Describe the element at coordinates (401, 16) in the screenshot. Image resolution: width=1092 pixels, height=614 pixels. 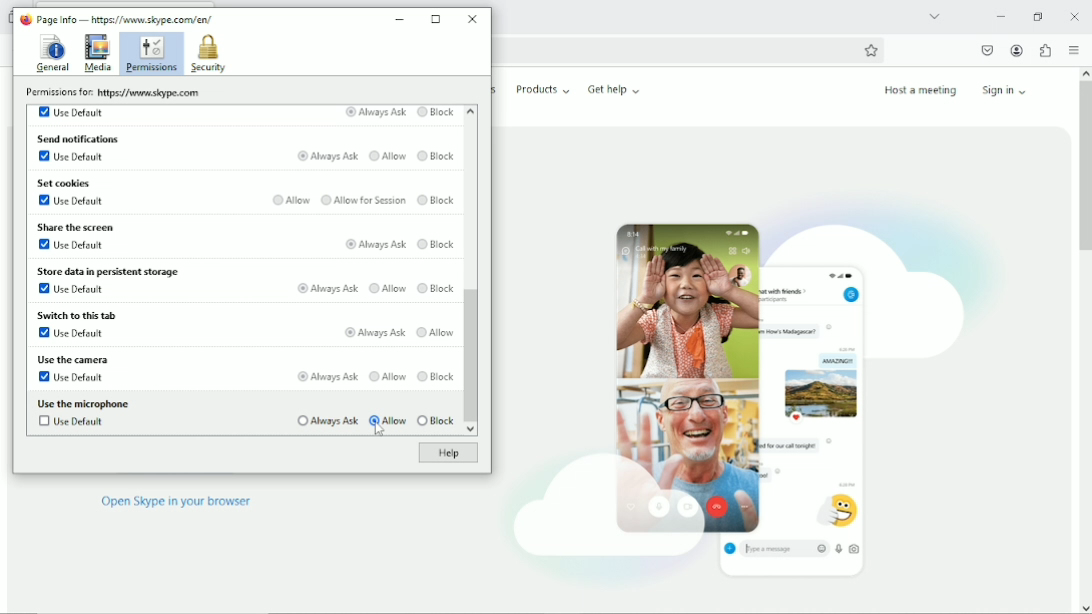
I see `Minimize` at that location.